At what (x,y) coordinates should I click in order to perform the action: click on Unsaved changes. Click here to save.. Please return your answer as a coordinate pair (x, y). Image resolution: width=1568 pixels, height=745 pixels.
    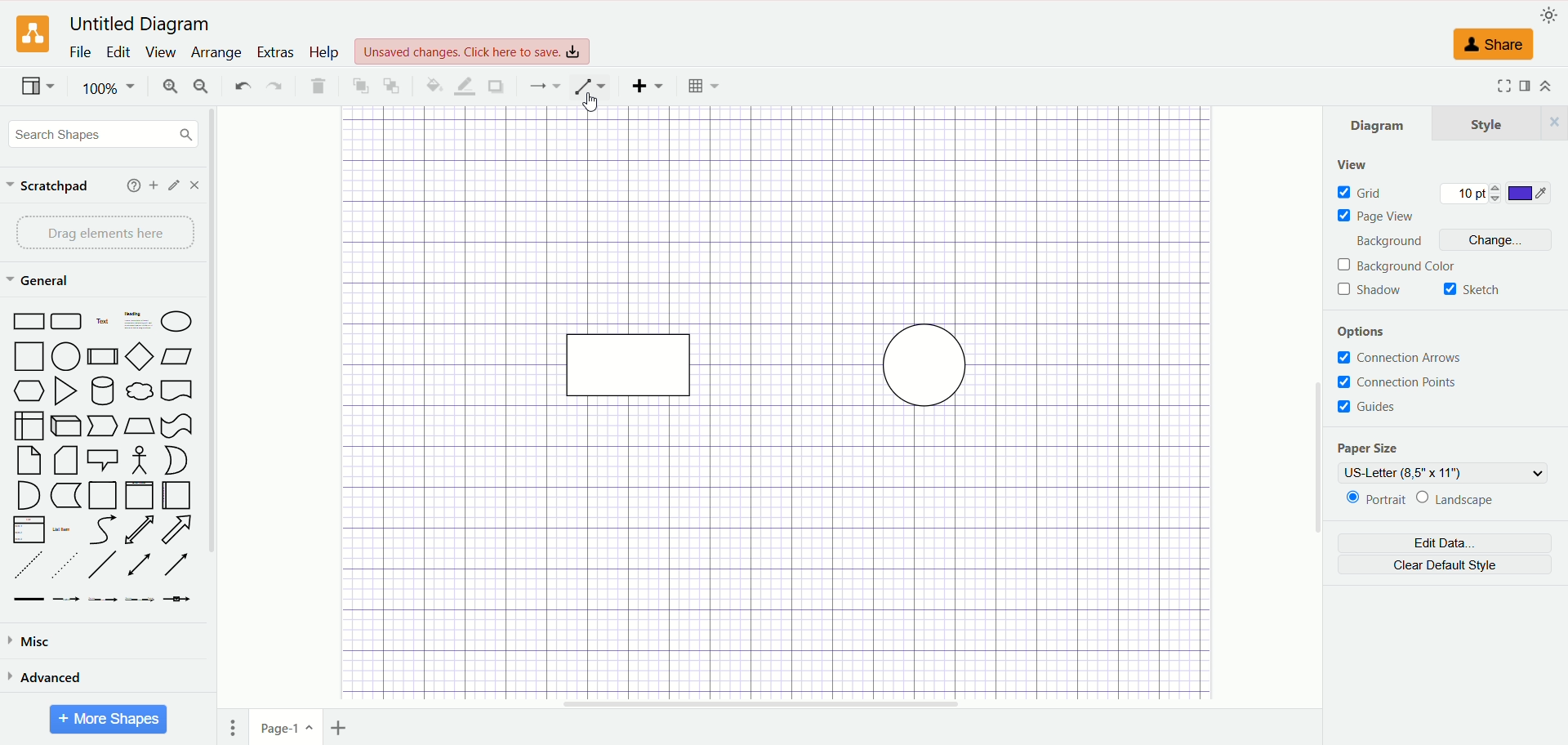
    Looking at the image, I should click on (474, 51).